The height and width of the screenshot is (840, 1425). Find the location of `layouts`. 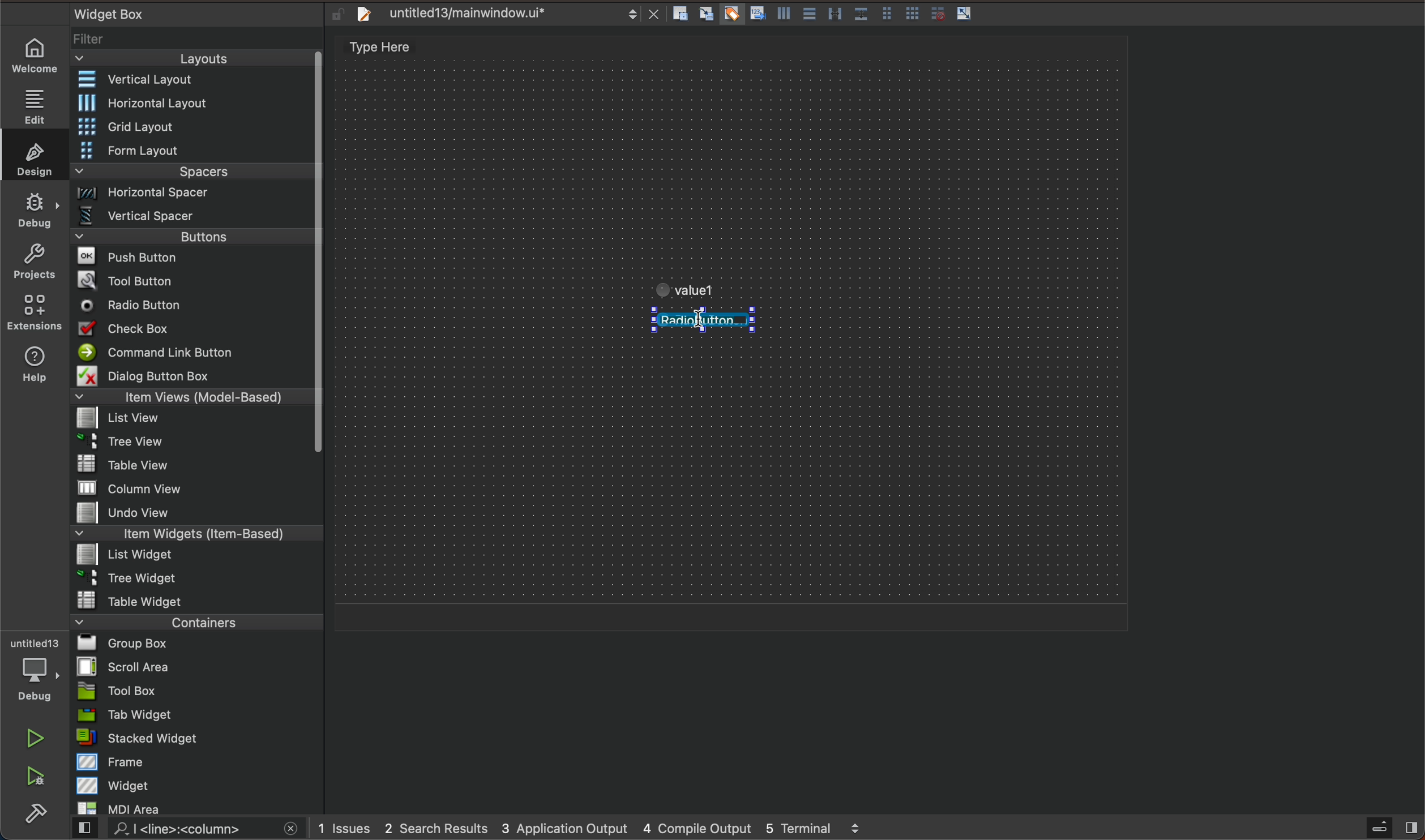

layouts is located at coordinates (192, 62).